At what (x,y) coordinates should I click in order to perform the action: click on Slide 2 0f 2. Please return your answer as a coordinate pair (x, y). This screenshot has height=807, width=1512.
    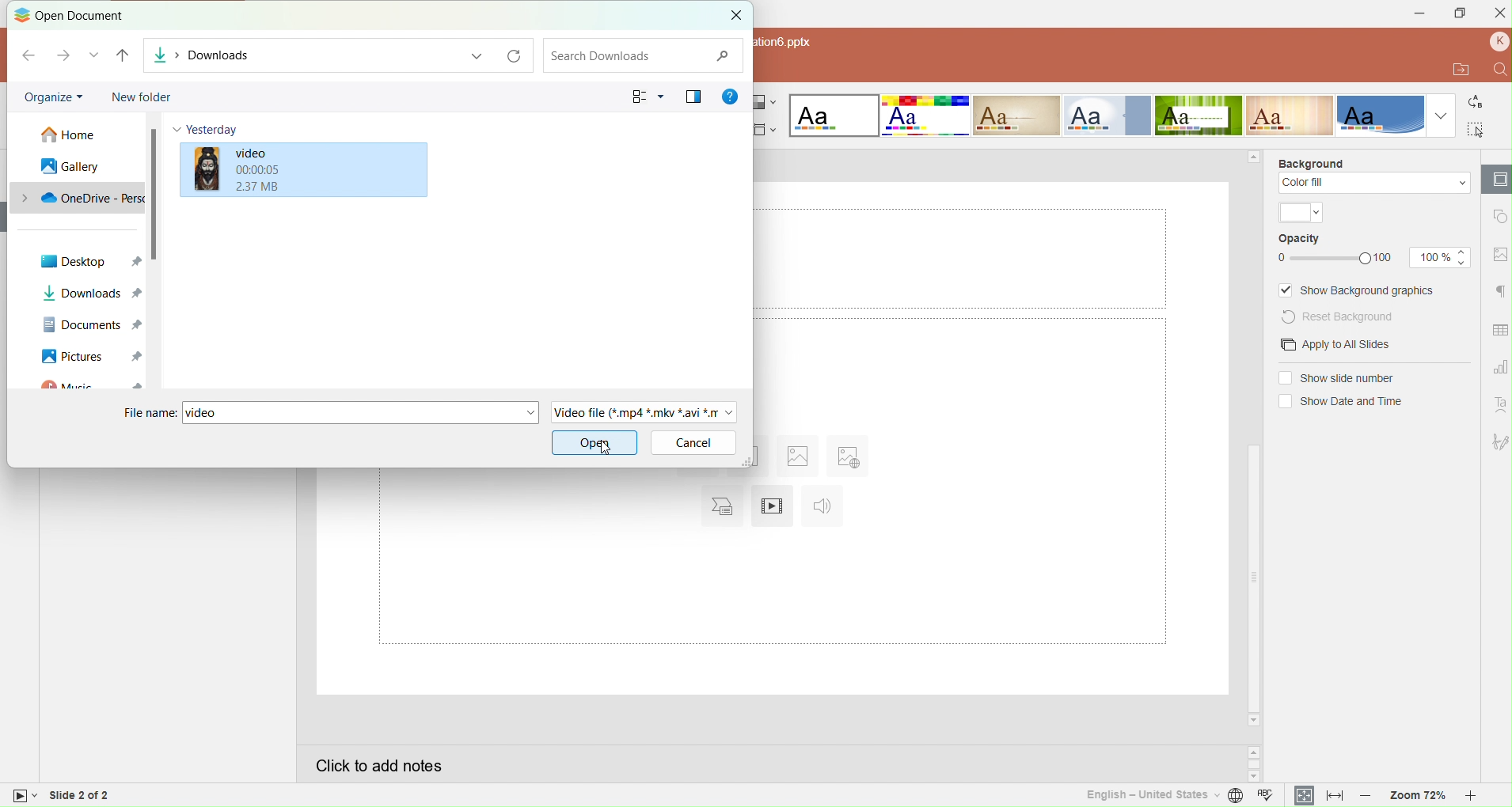
    Looking at the image, I should click on (108, 795).